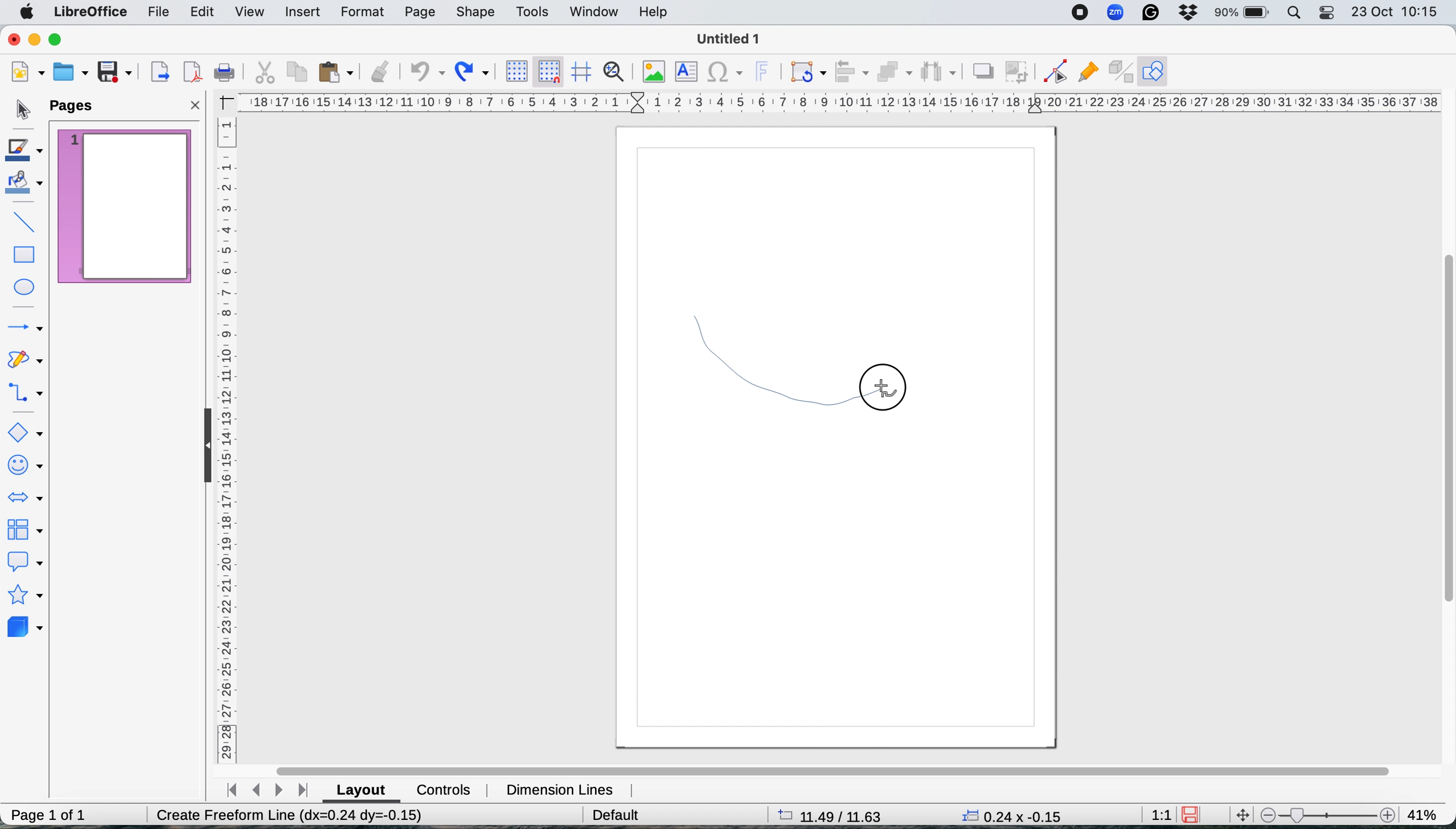 The width and height of the screenshot is (1456, 829). Describe the element at coordinates (196, 106) in the screenshot. I see `close` at that location.